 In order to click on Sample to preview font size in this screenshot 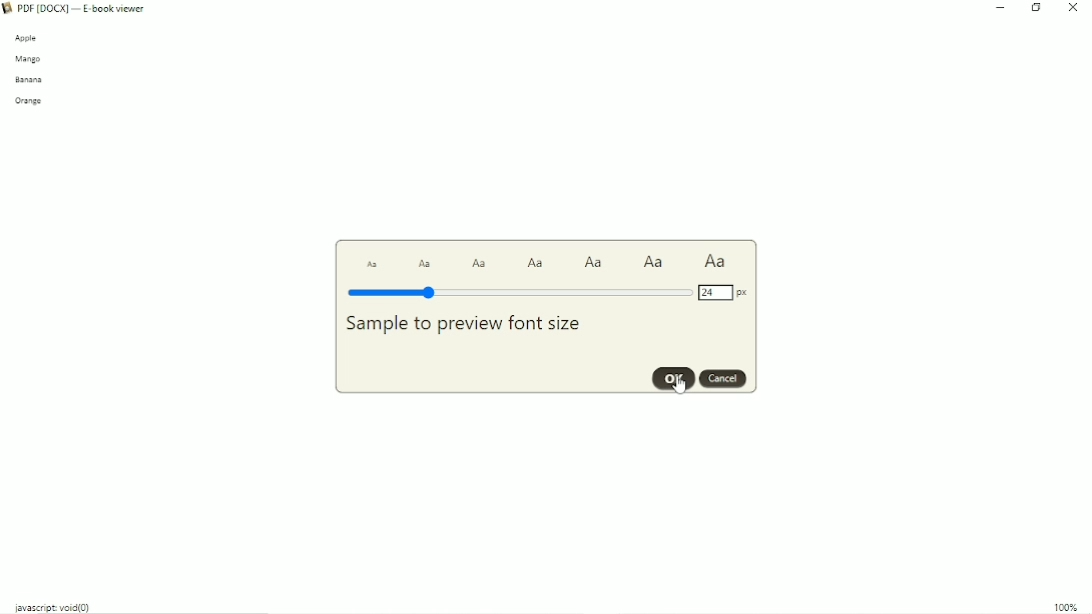, I will do `click(463, 324)`.